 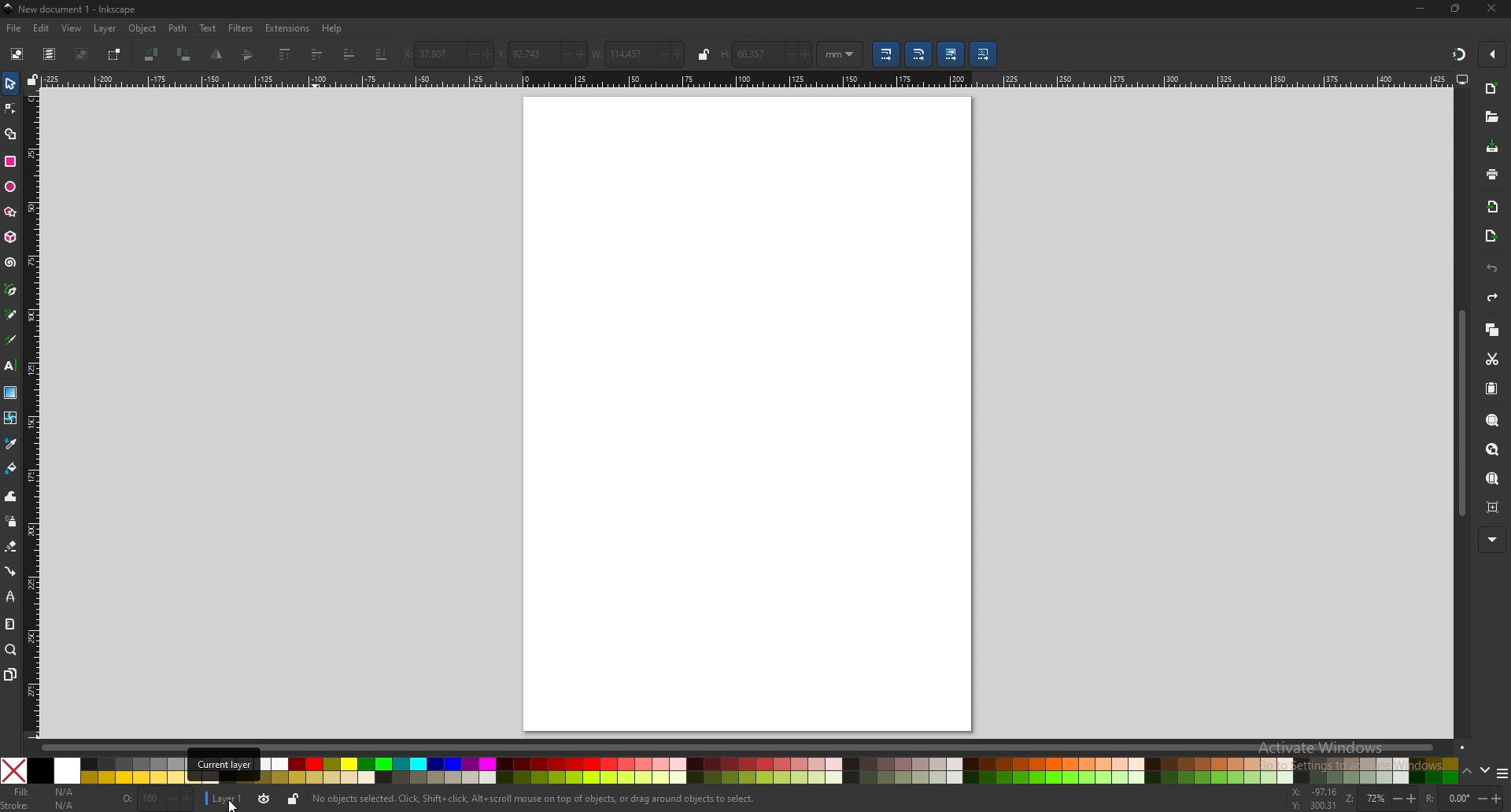 I want to click on raise to top, so click(x=286, y=54).